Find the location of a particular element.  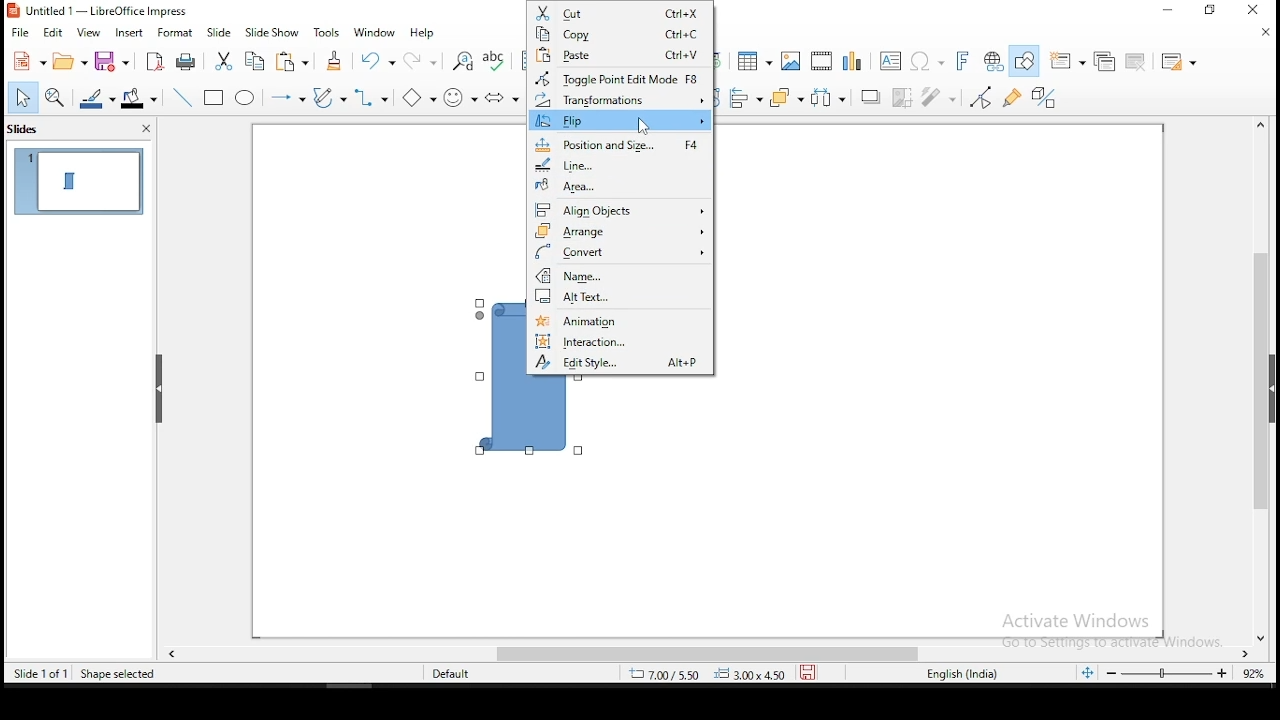

copy is located at coordinates (254, 59).